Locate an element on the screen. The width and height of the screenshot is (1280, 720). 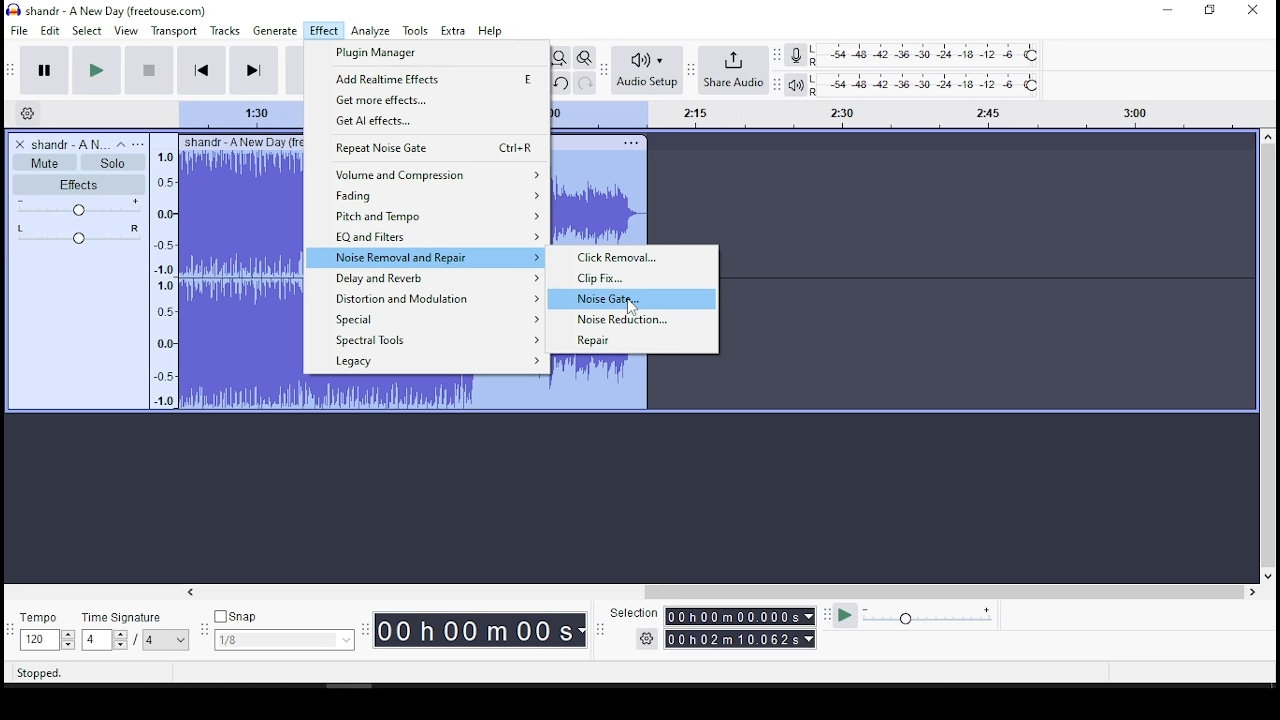
audio setup is located at coordinates (647, 71).